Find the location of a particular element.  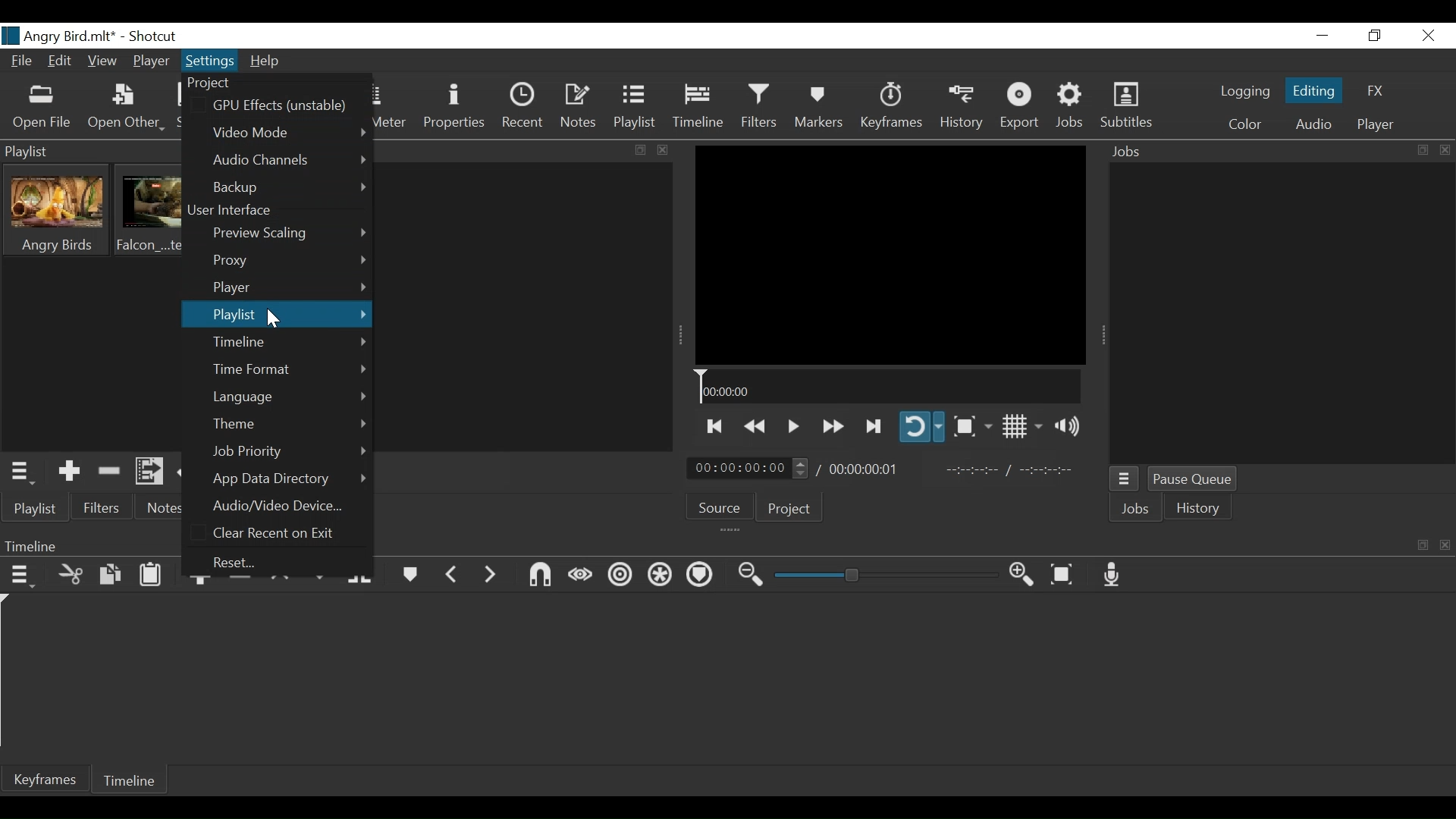

Restore is located at coordinates (1373, 36).